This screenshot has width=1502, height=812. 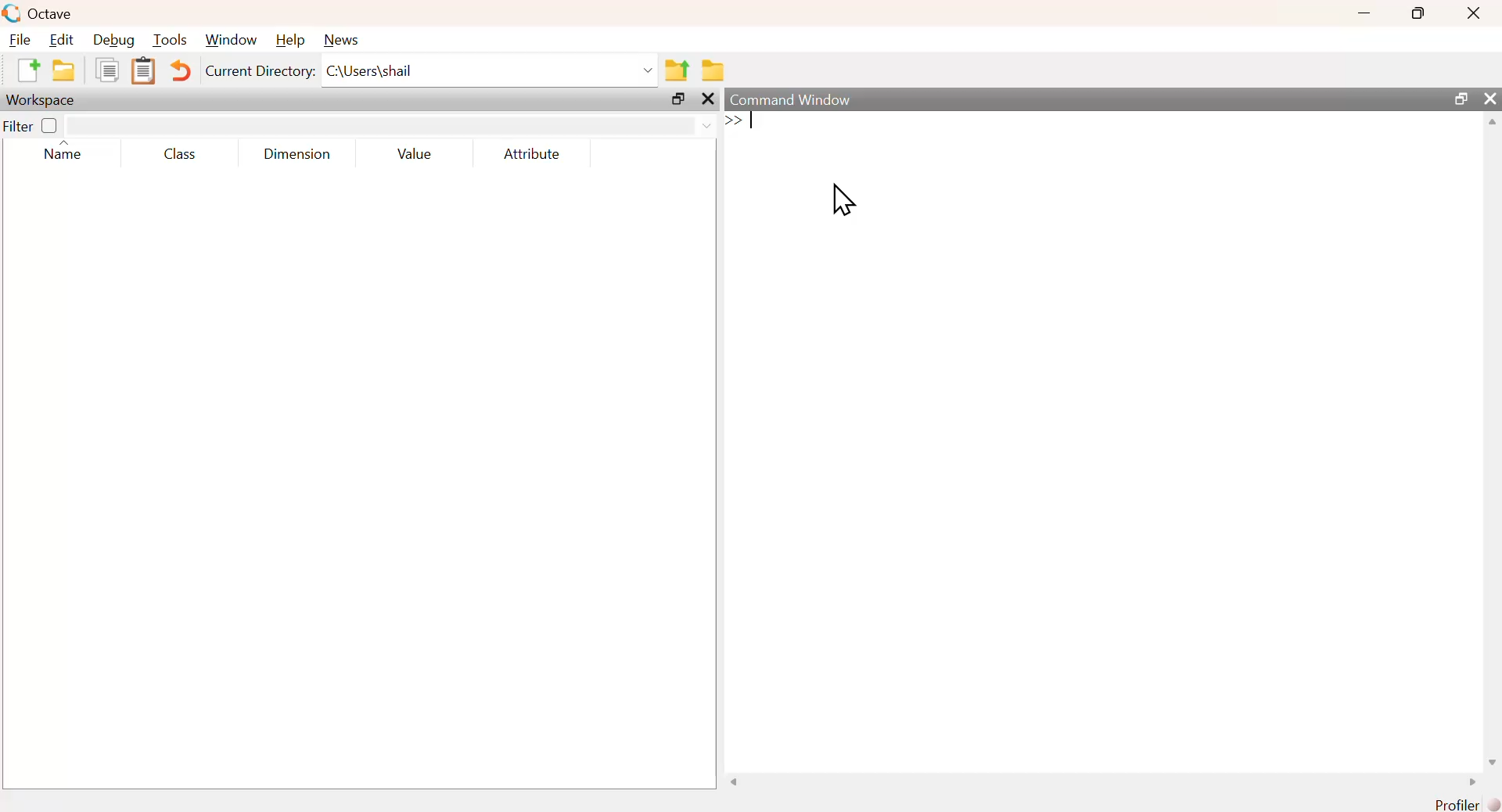 I want to click on filter, so click(x=18, y=127).